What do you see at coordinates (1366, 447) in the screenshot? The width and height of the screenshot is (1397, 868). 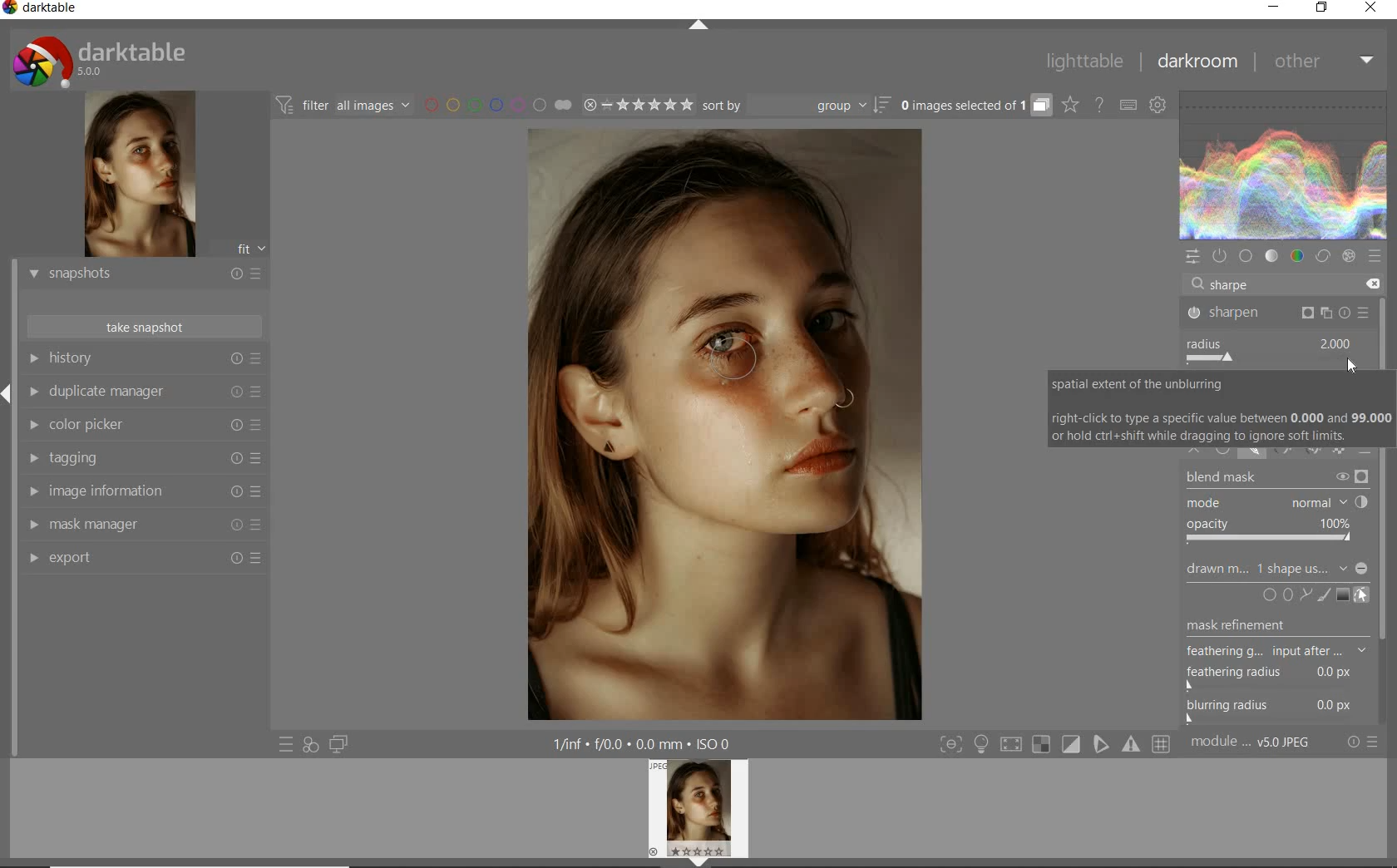 I see `BLENDING OPTIONS` at bounding box center [1366, 447].